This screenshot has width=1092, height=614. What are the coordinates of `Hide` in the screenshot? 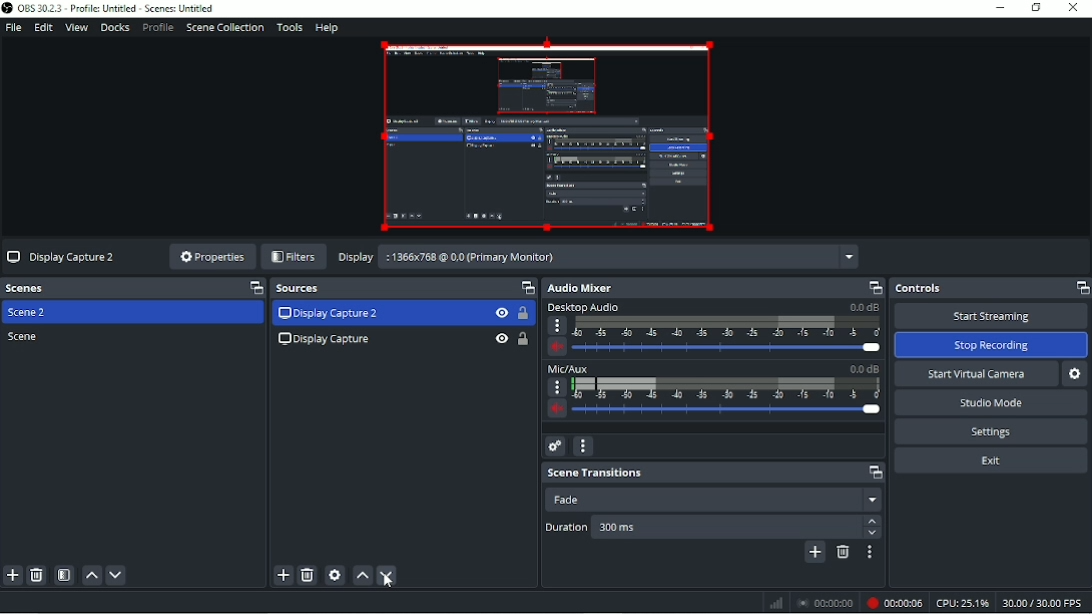 It's located at (500, 339).